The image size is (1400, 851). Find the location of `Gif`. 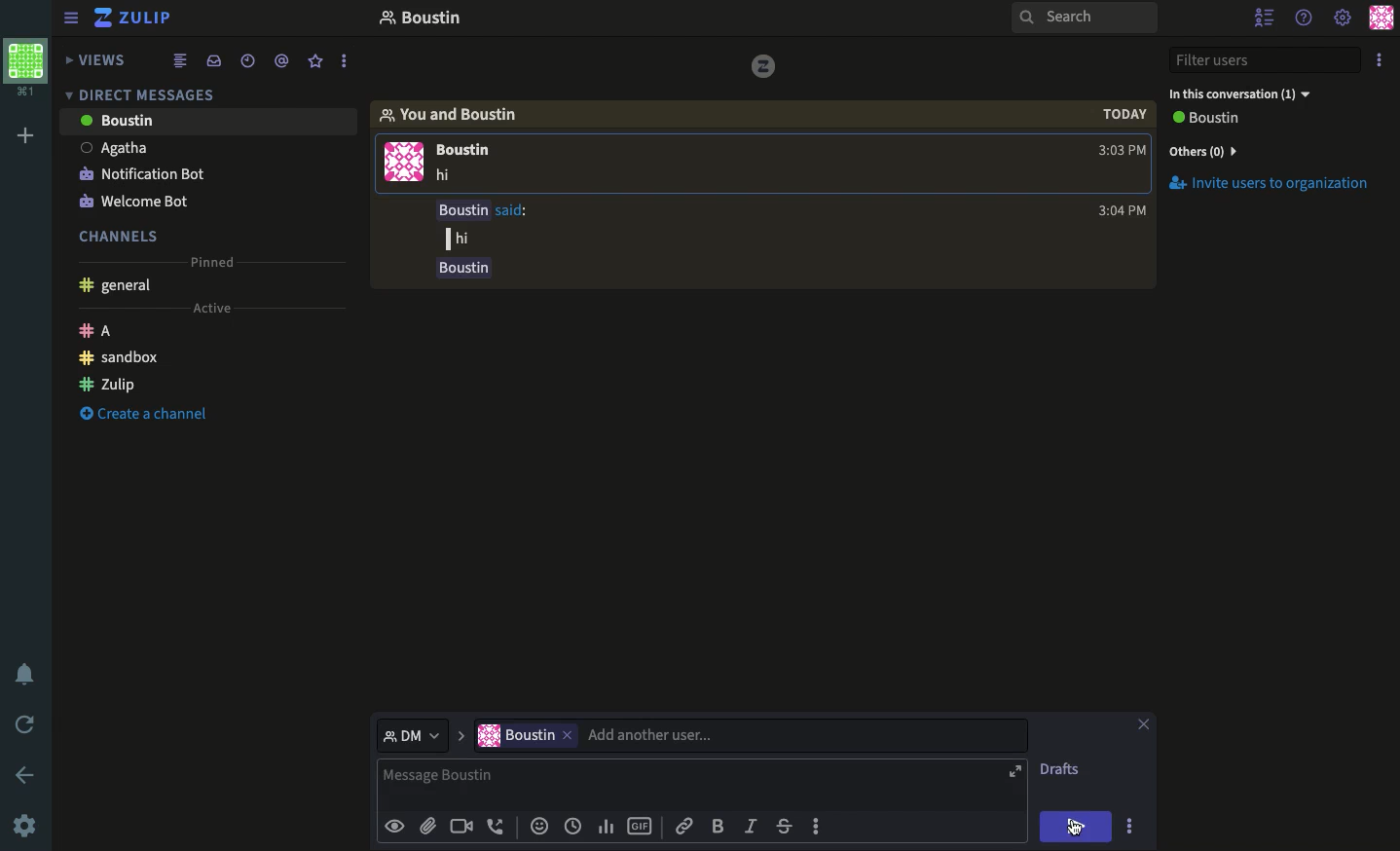

Gif is located at coordinates (641, 827).